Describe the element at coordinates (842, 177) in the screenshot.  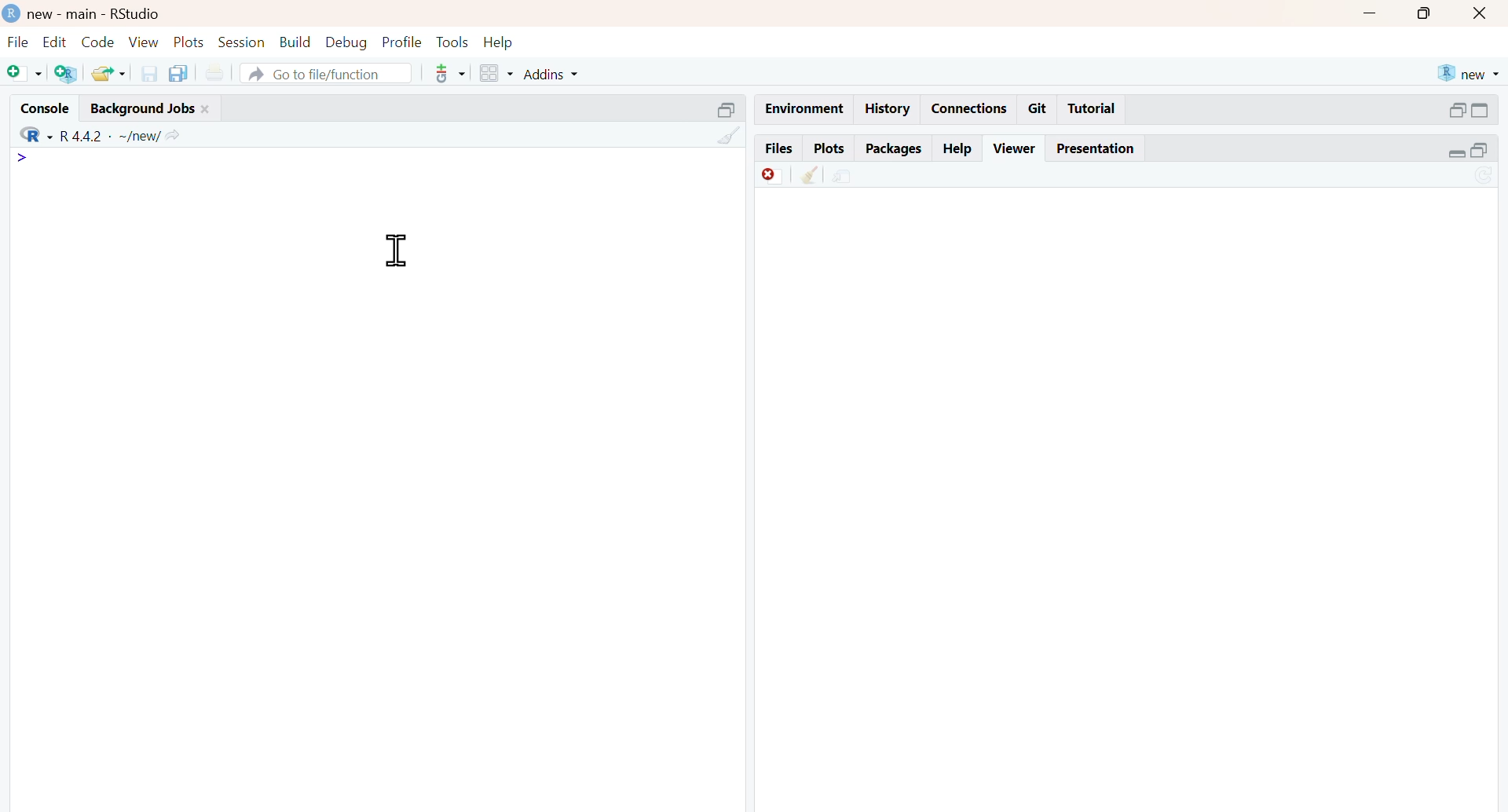
I see `share document ` at that location.